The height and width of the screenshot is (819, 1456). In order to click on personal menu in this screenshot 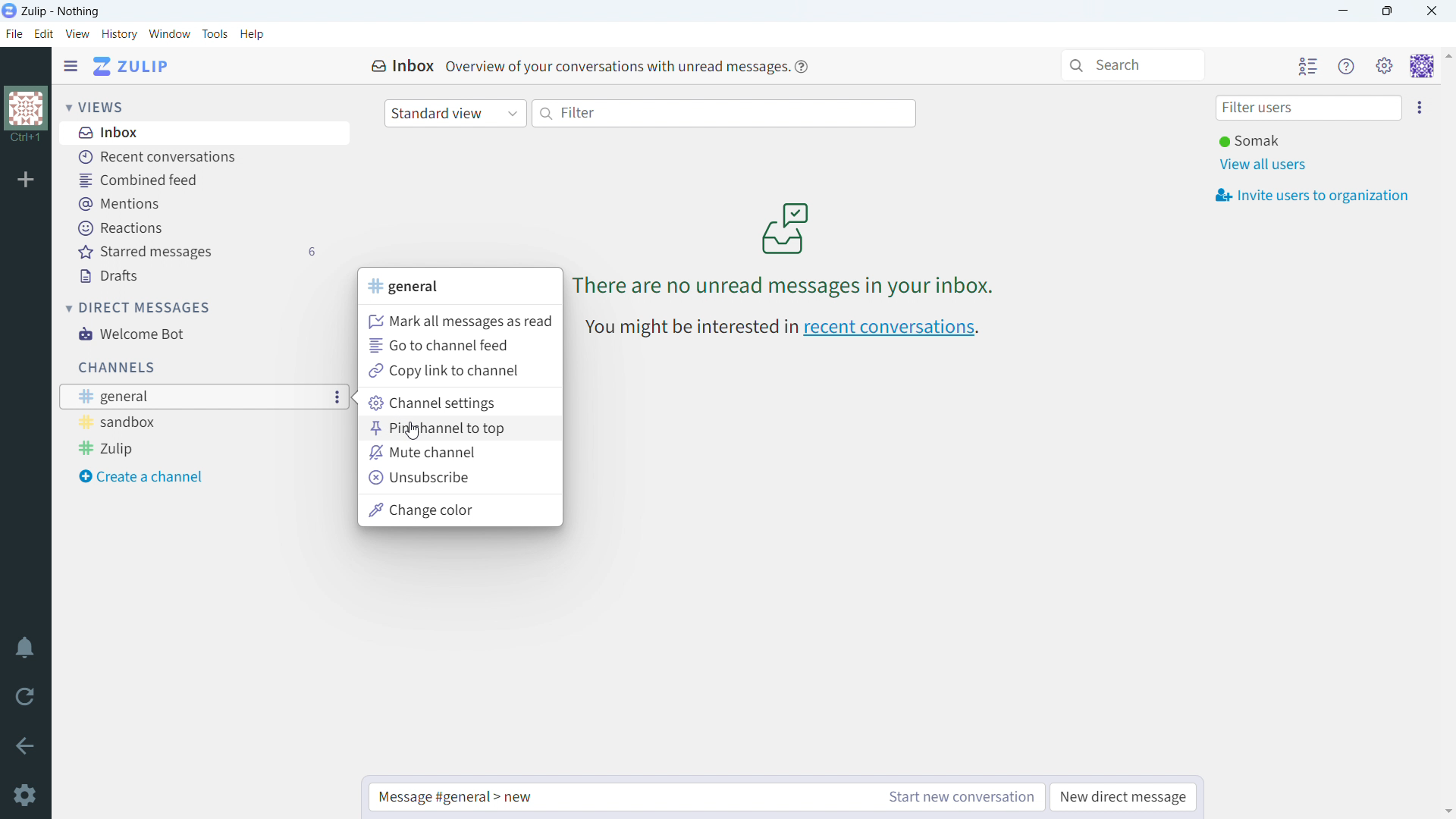, I will do `click(1422, 65)`.